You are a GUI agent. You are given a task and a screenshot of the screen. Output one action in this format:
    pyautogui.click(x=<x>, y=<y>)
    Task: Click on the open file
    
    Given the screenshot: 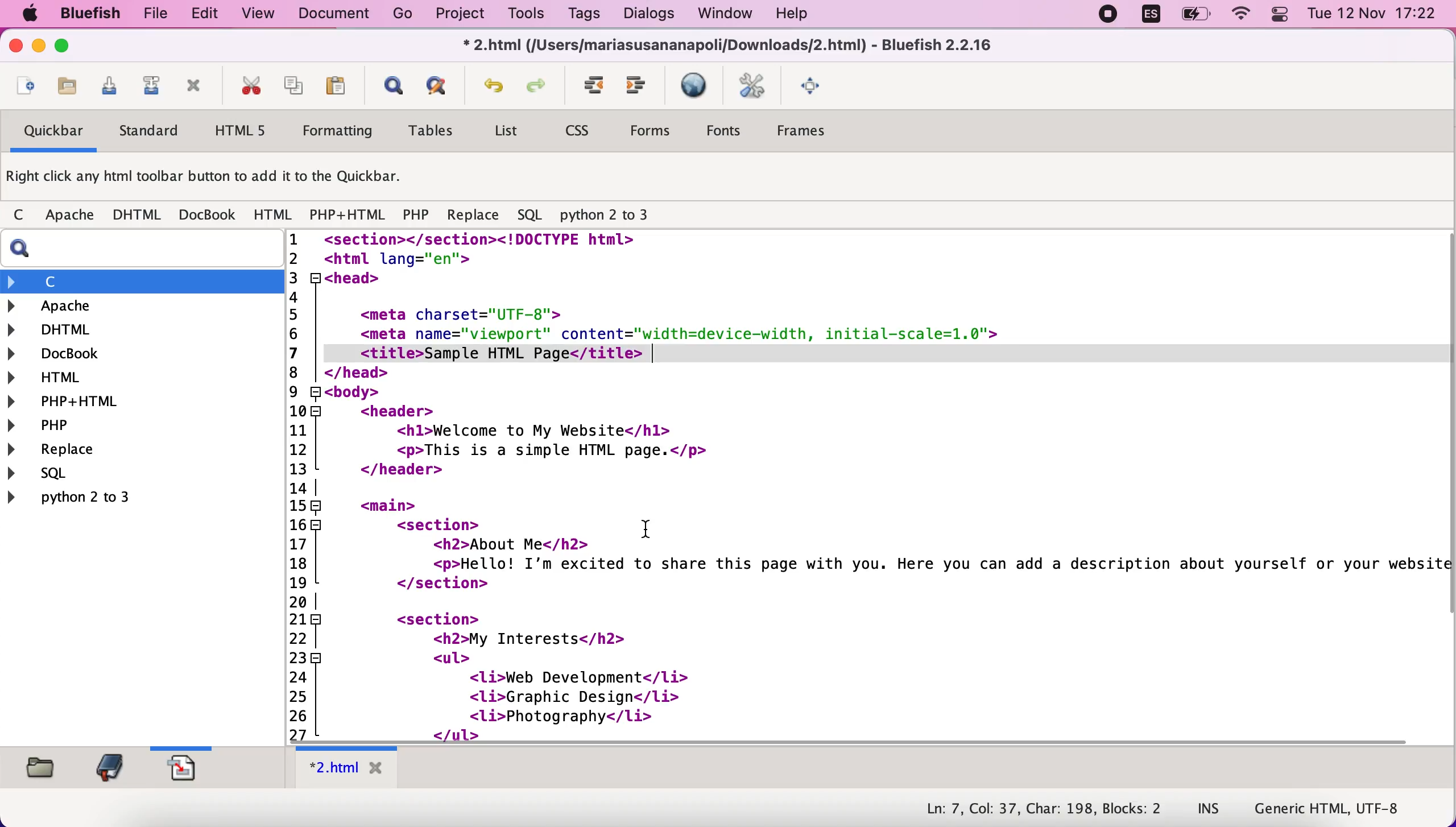 What is the action you would take?
    pyautogui.click(x=67, y=86)
    